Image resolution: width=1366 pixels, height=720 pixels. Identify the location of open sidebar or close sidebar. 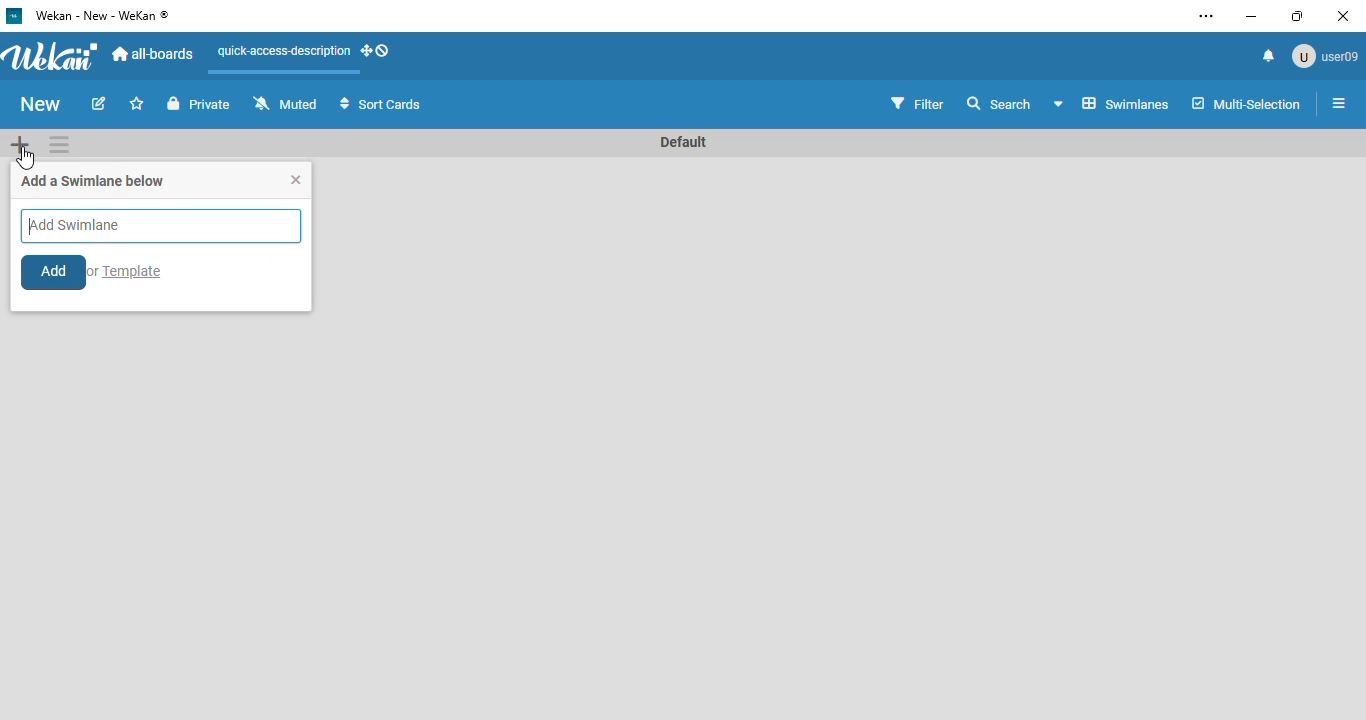
(1330, 106).